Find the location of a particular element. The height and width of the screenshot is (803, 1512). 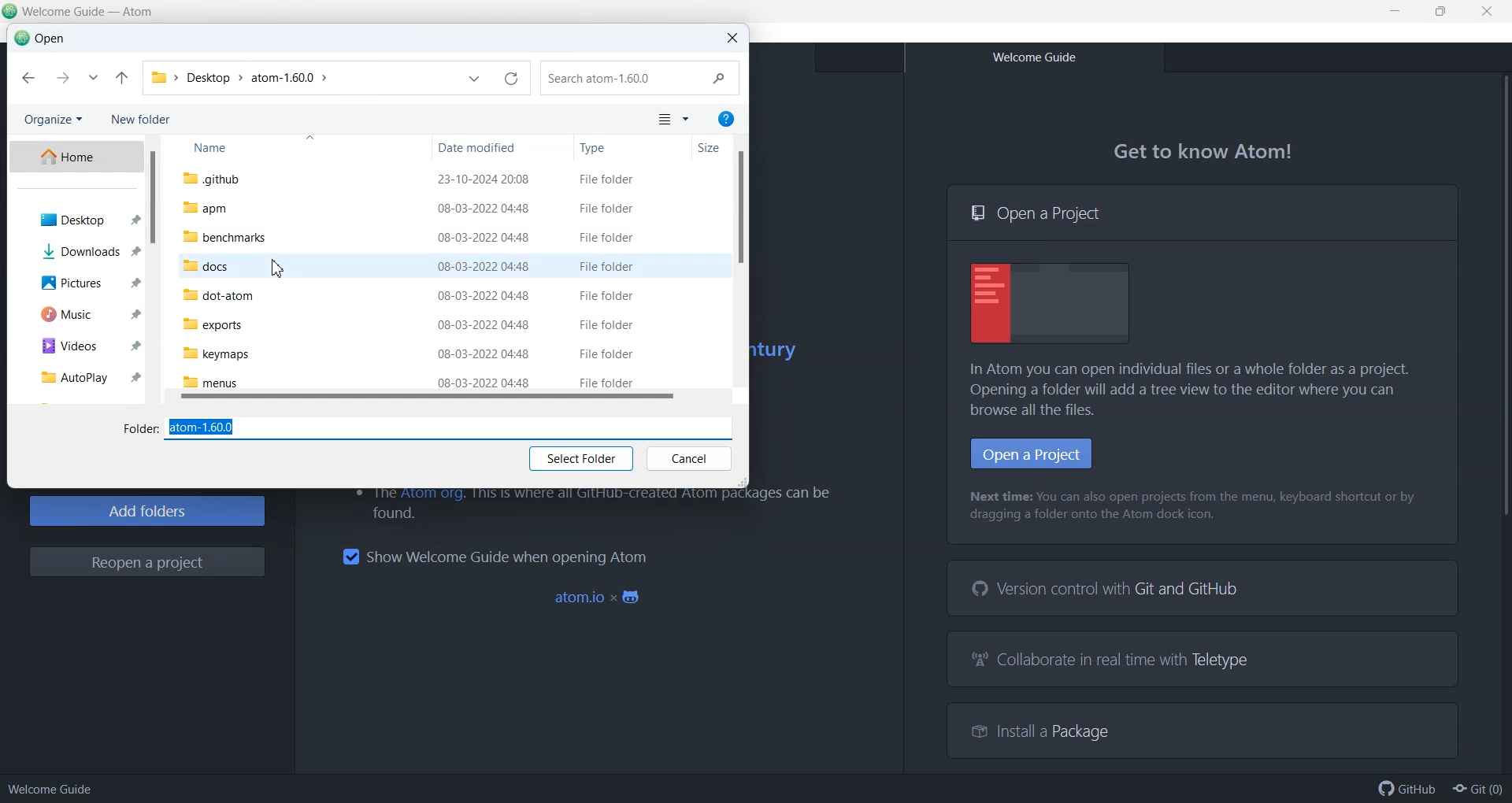

docs is located at coordinates (206, 267).